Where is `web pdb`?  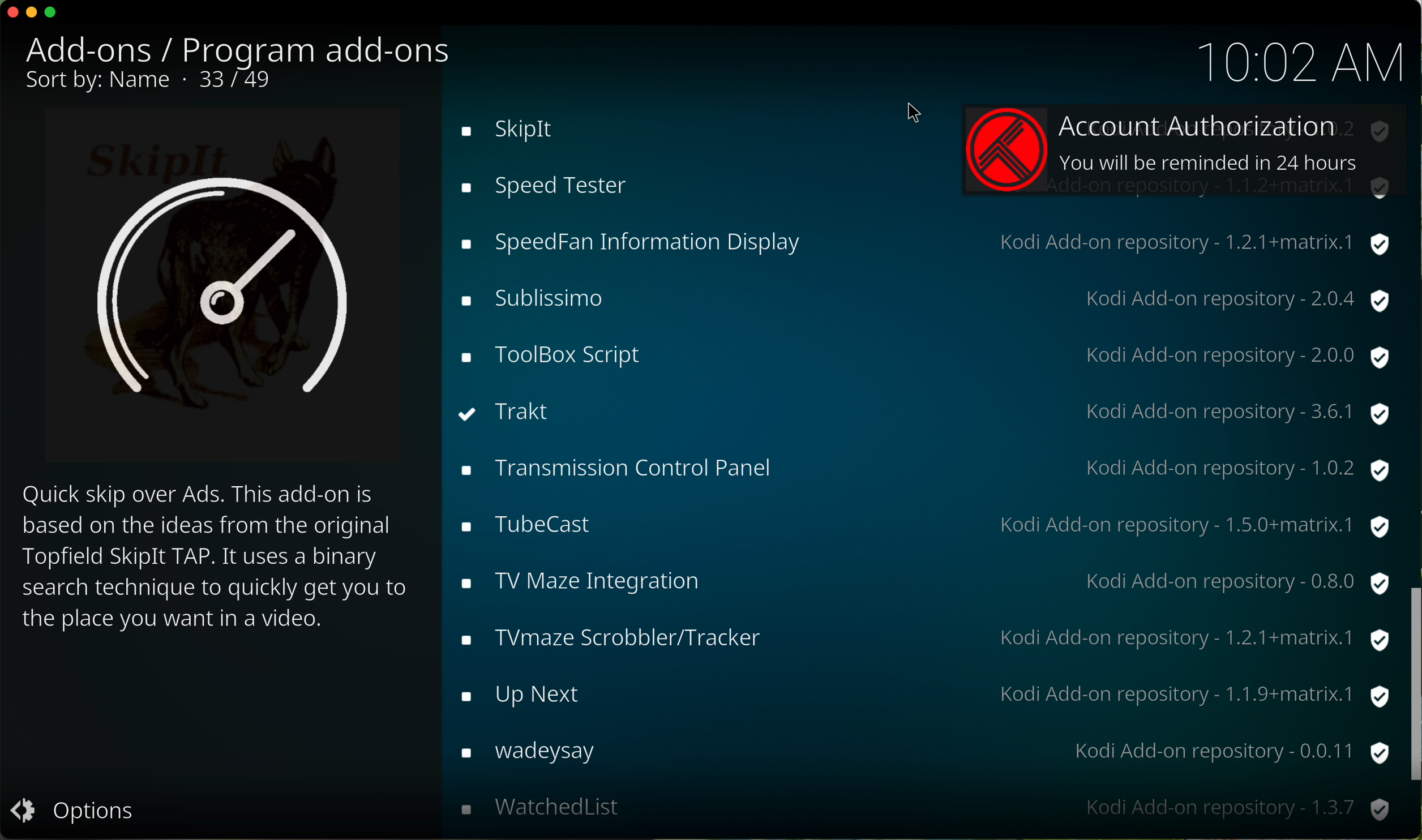 web pdb is located at coordinates (918, 635).